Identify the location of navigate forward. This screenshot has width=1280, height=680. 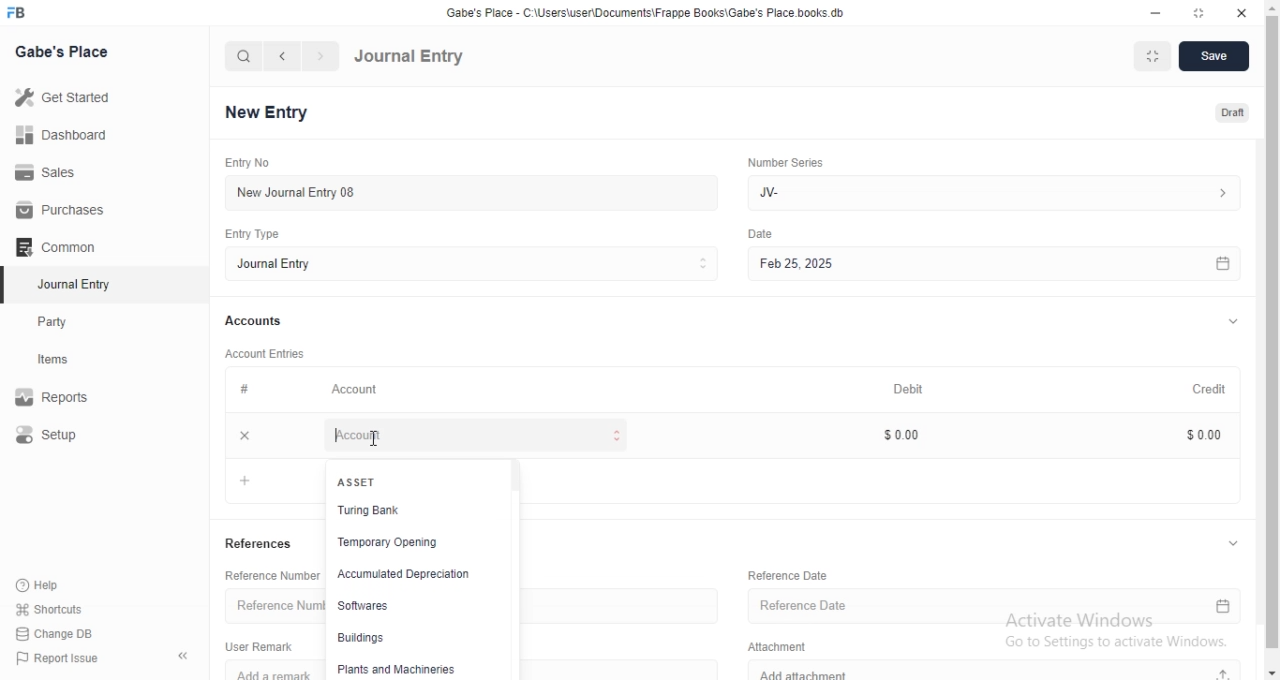
(321, 56).